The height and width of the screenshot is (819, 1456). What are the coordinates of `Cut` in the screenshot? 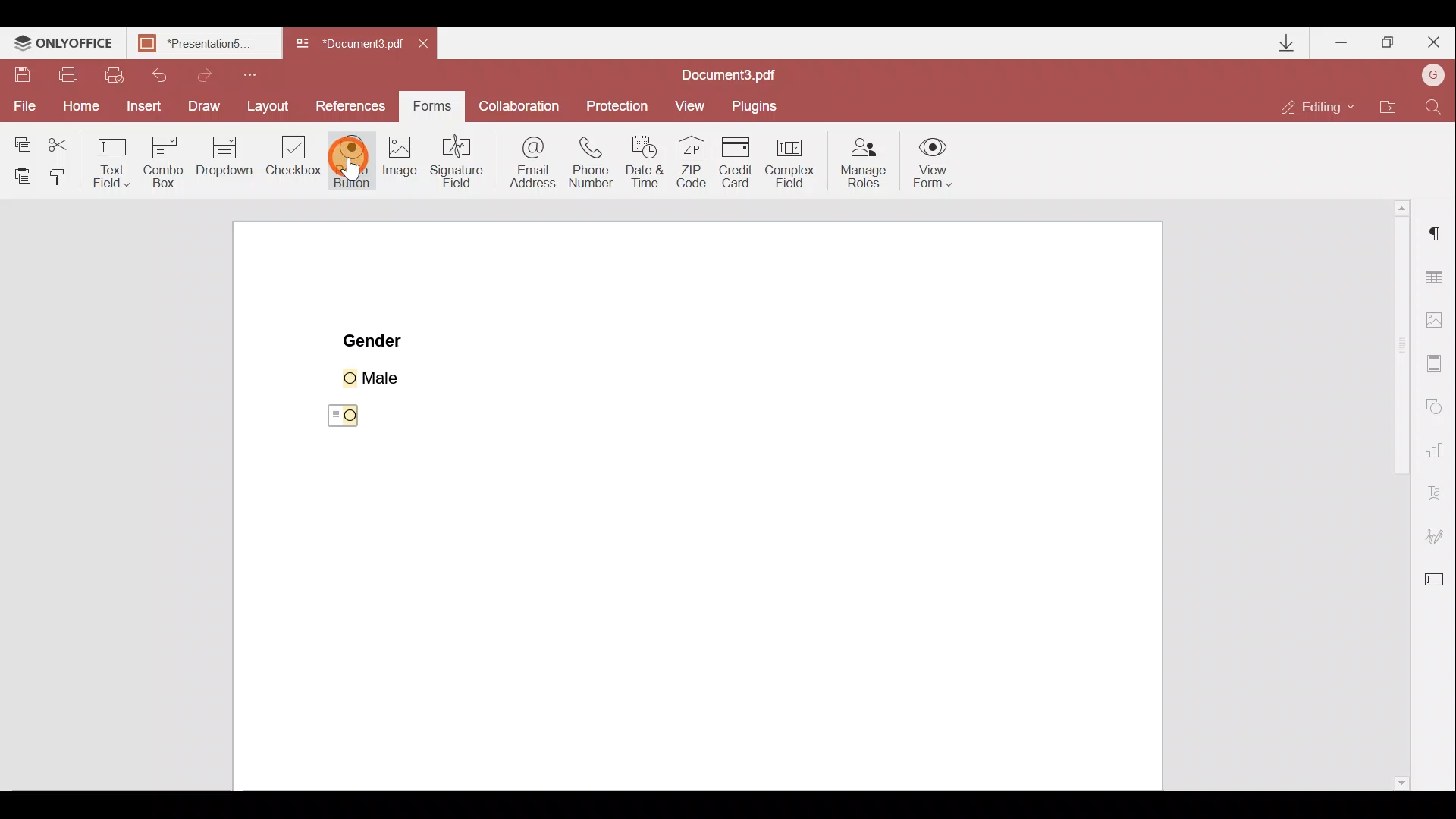 It's located at (58, 142).